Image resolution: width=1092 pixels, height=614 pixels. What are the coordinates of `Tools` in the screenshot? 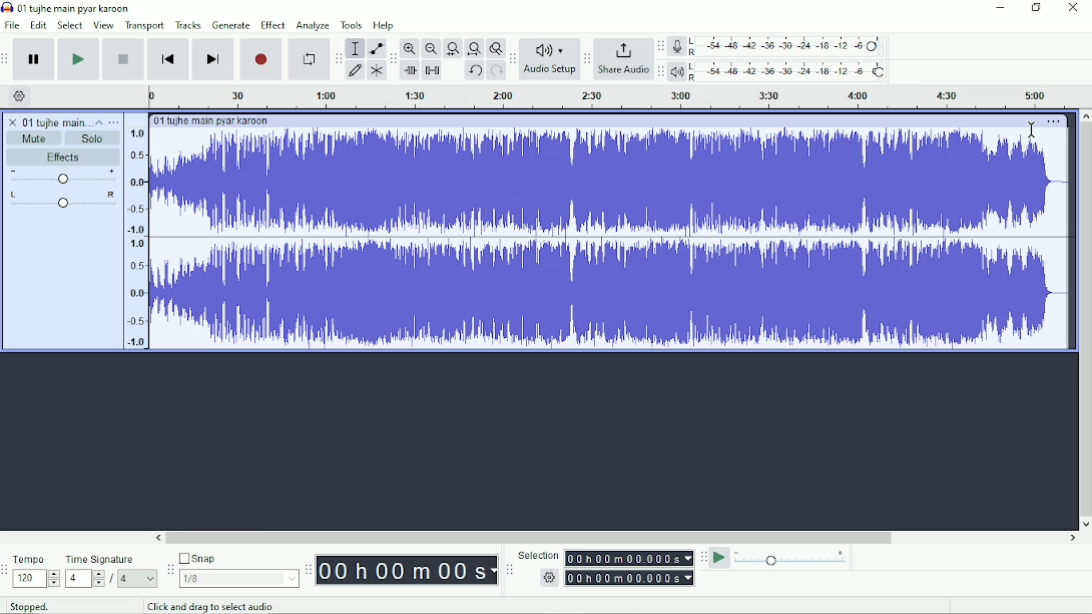 It's located at (353, 25).